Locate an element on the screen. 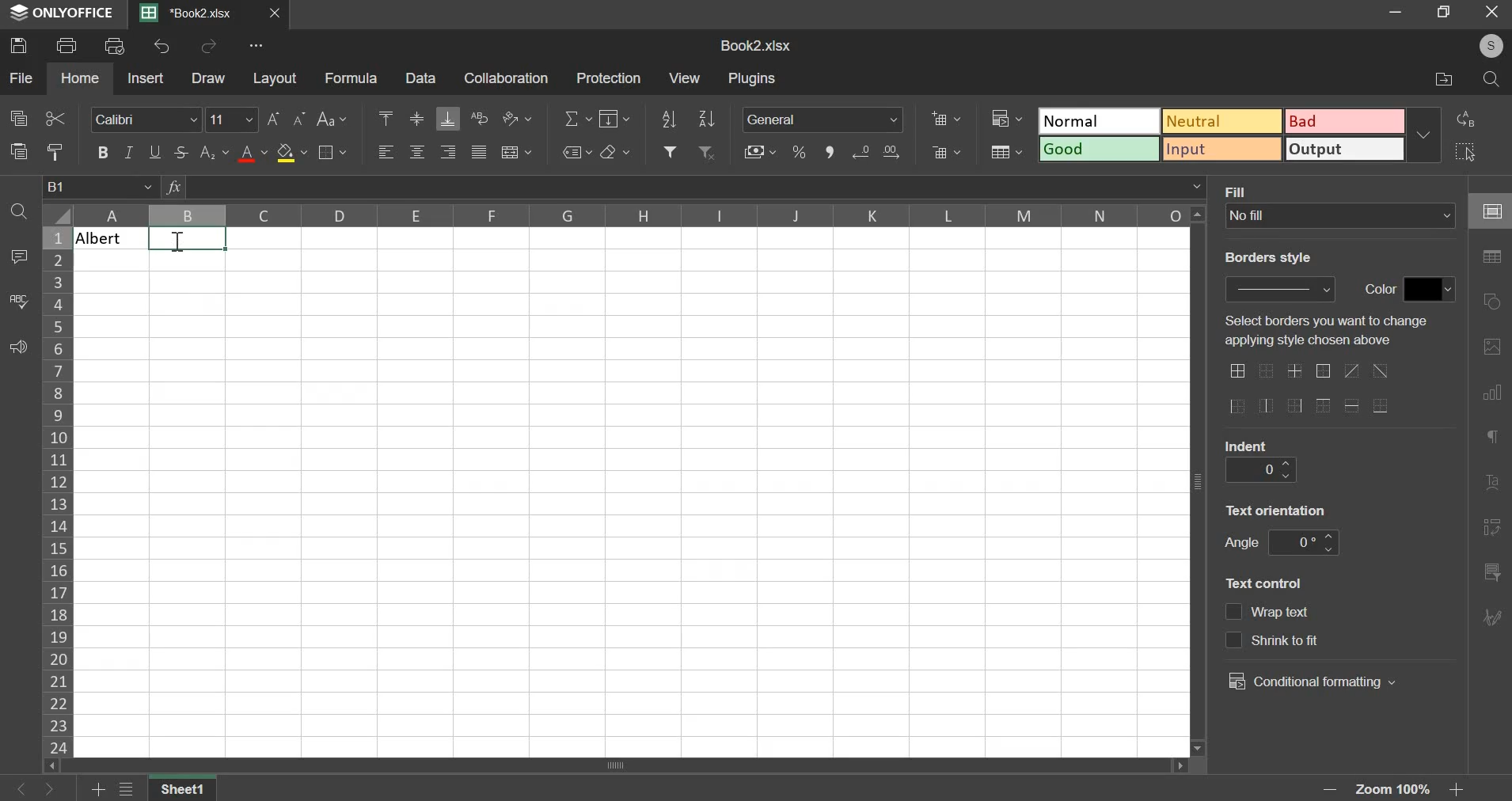 The image size is (1512, 801). Sheet name is located at coordinates (184, 788).